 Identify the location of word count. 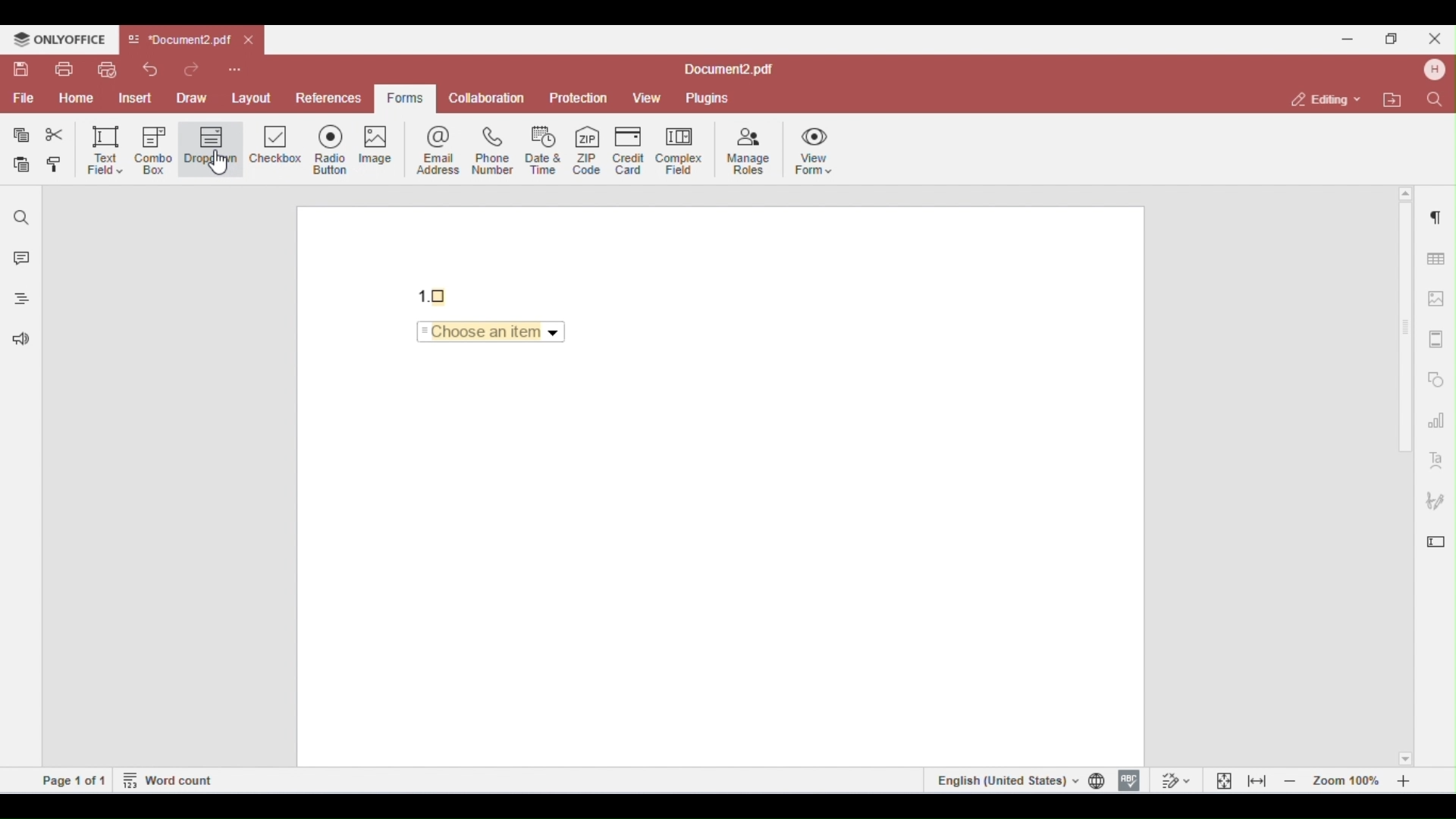
(169, 779).